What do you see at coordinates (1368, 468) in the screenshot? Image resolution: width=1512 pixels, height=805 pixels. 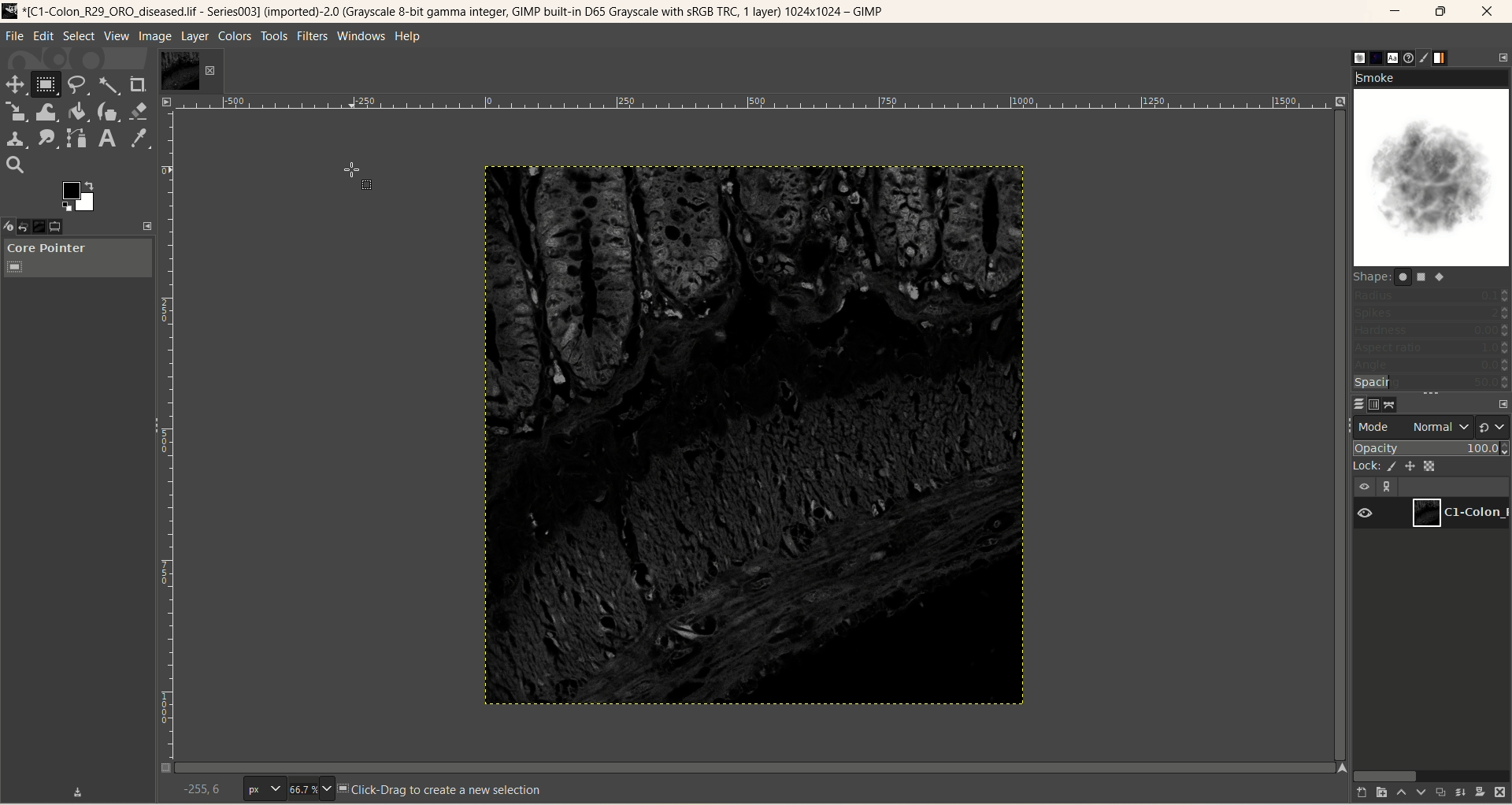 I see `lock` at bounding box center [1368, 468].